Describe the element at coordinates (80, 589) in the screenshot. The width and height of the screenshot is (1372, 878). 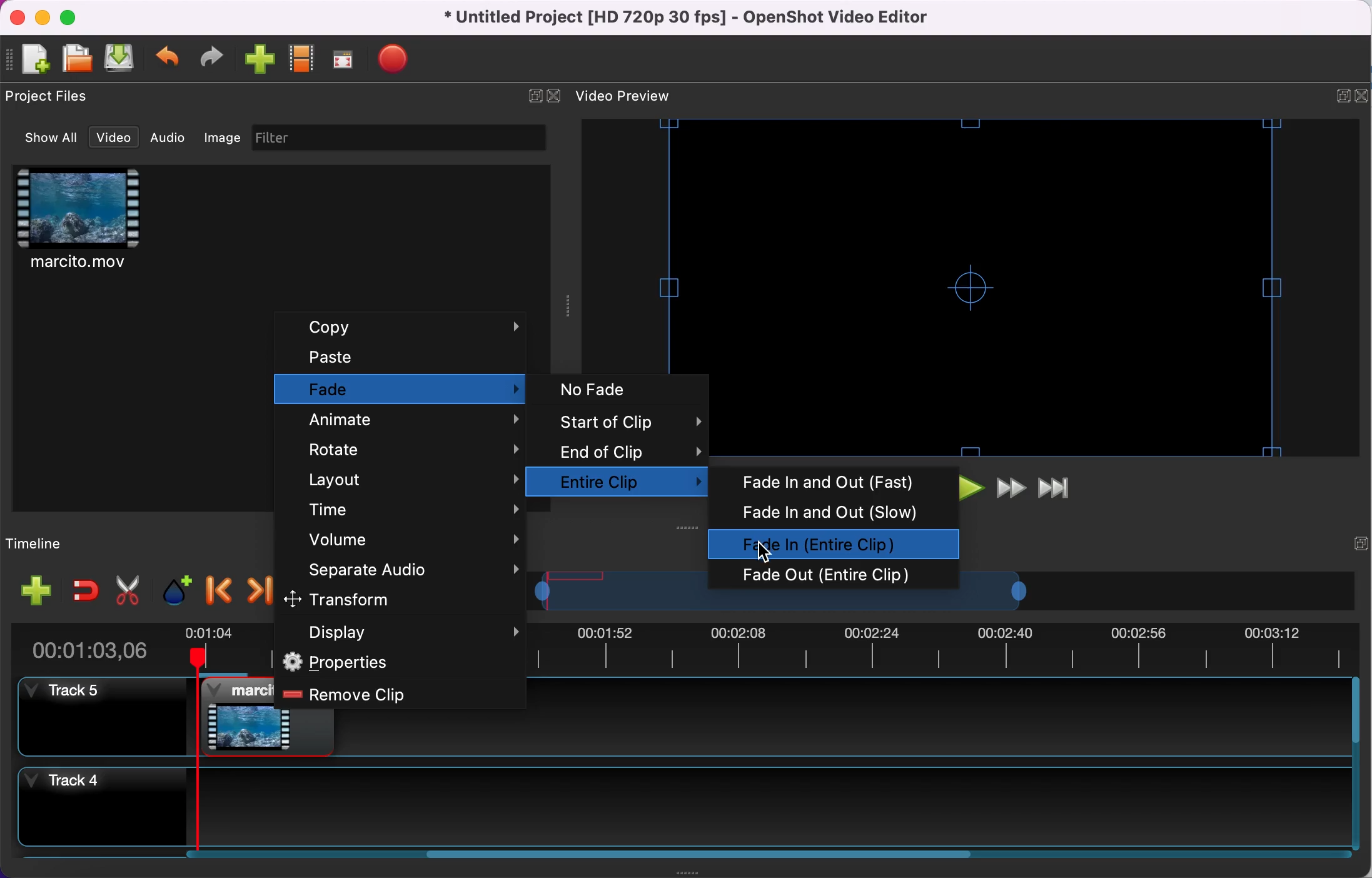
I see `enable snapping` at that location.